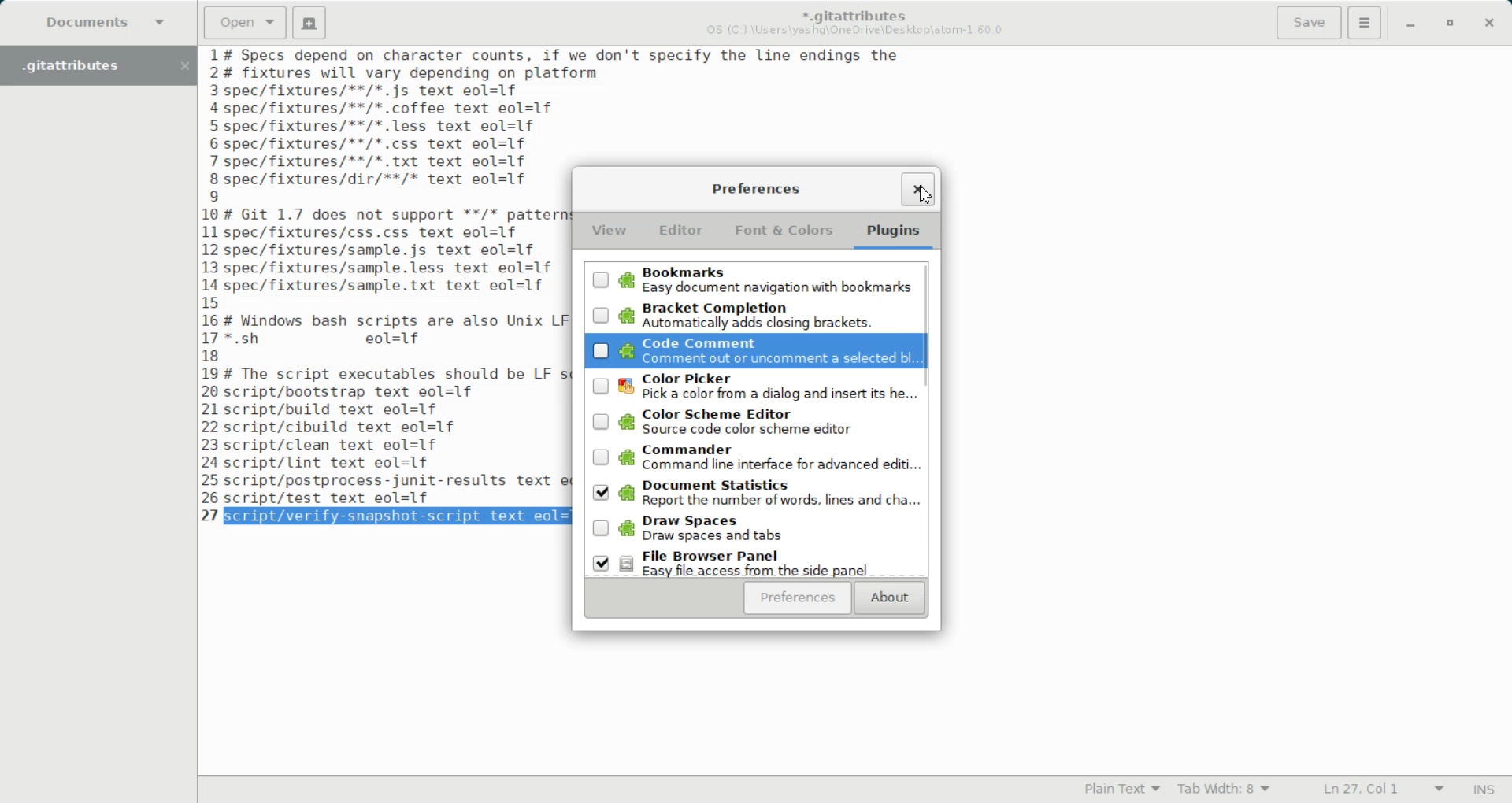 This screenshot has height=803, width=1512. Describe the element at coordinates (751, 527) in the screenshot. I see `Draw Spaces: Draw spaces and tabs` at that location.